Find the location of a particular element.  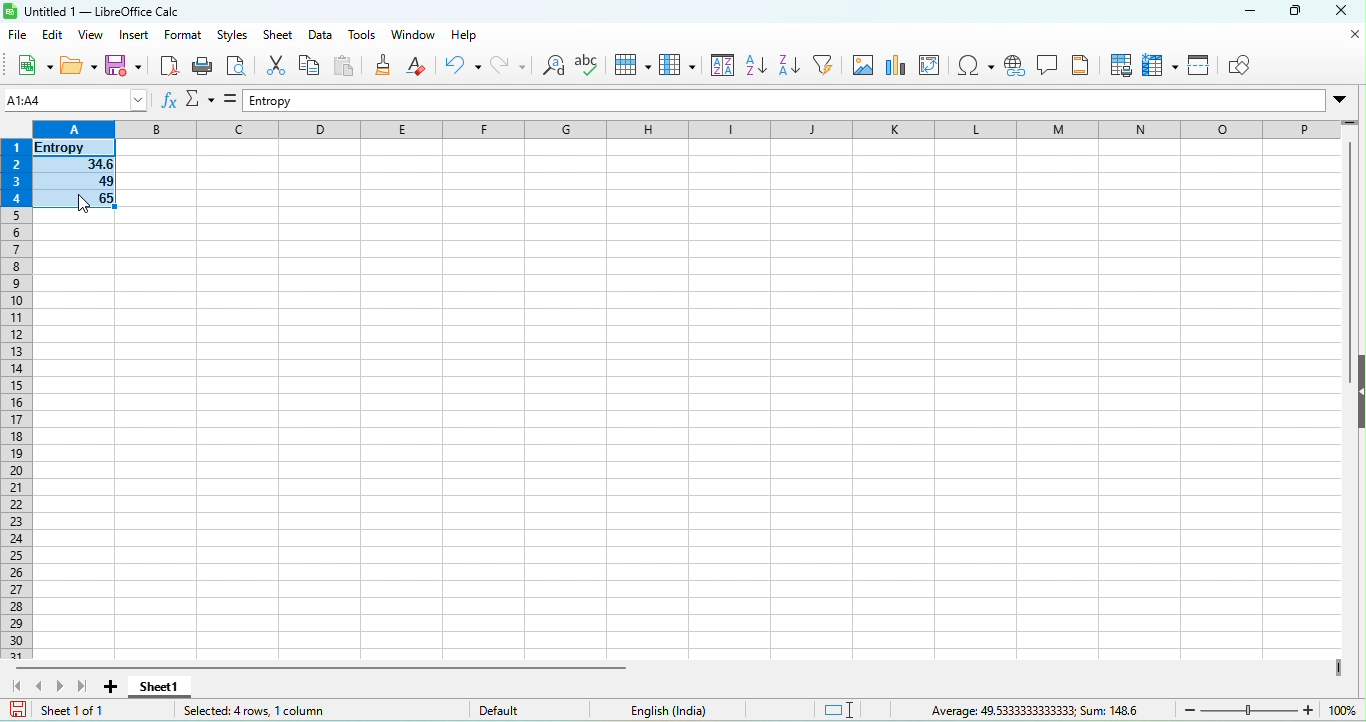

tools is located at coordinates (369, 35).